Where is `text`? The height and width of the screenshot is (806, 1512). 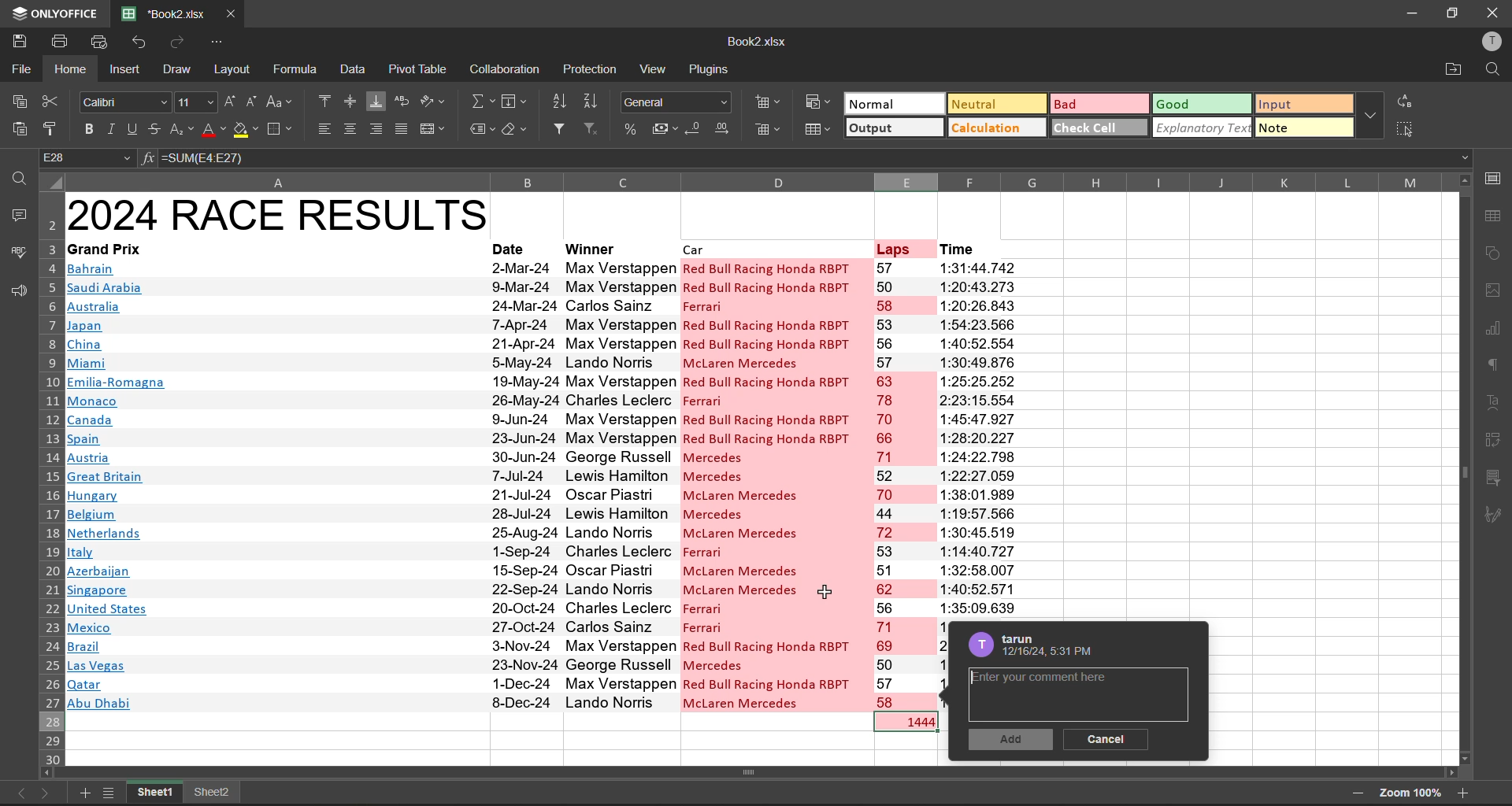
text is located at coordinates (1492, 400).